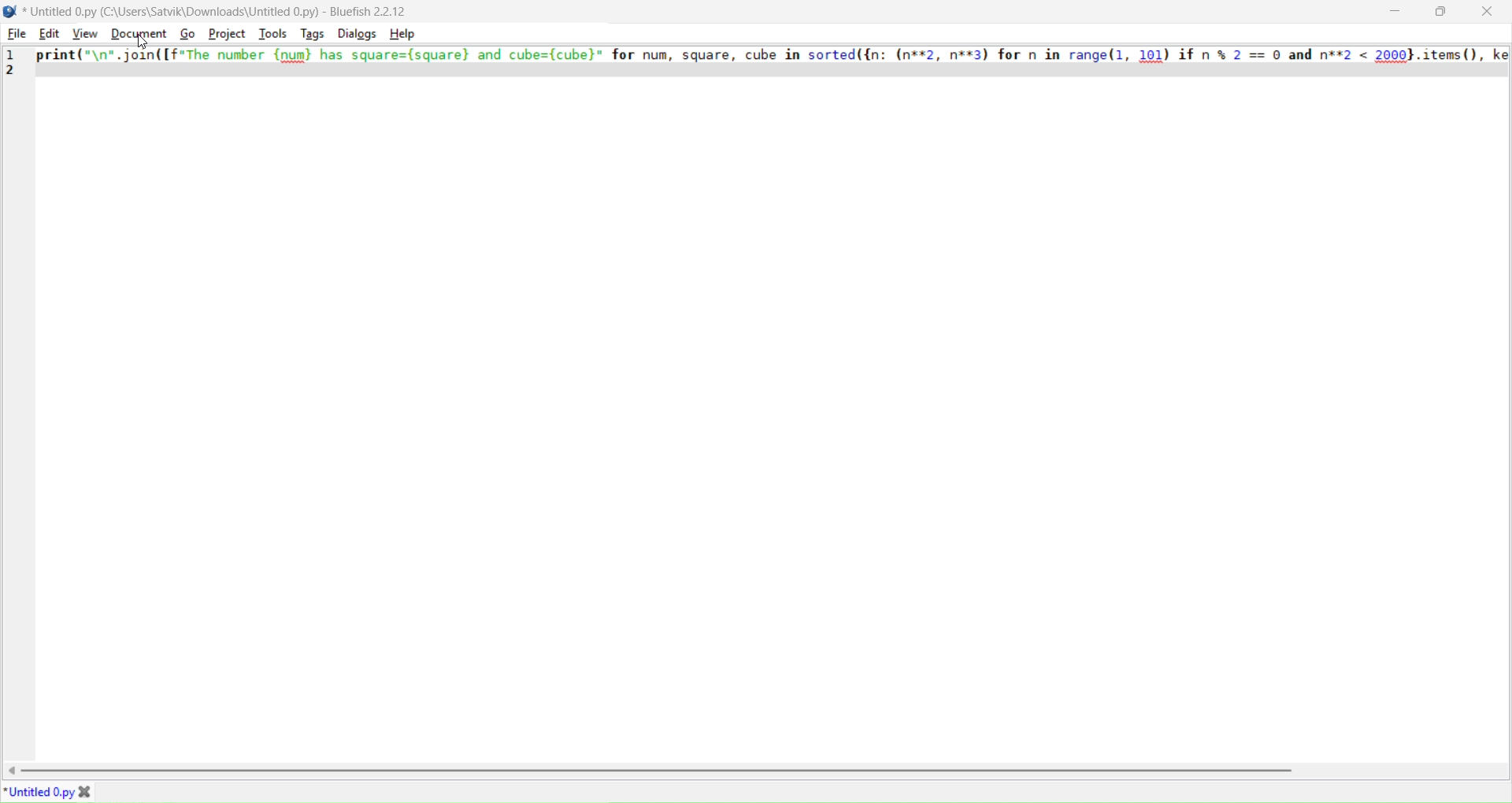 The height and width of the screenshot is (803, 1512). I want to click on help, so click(404, 34).